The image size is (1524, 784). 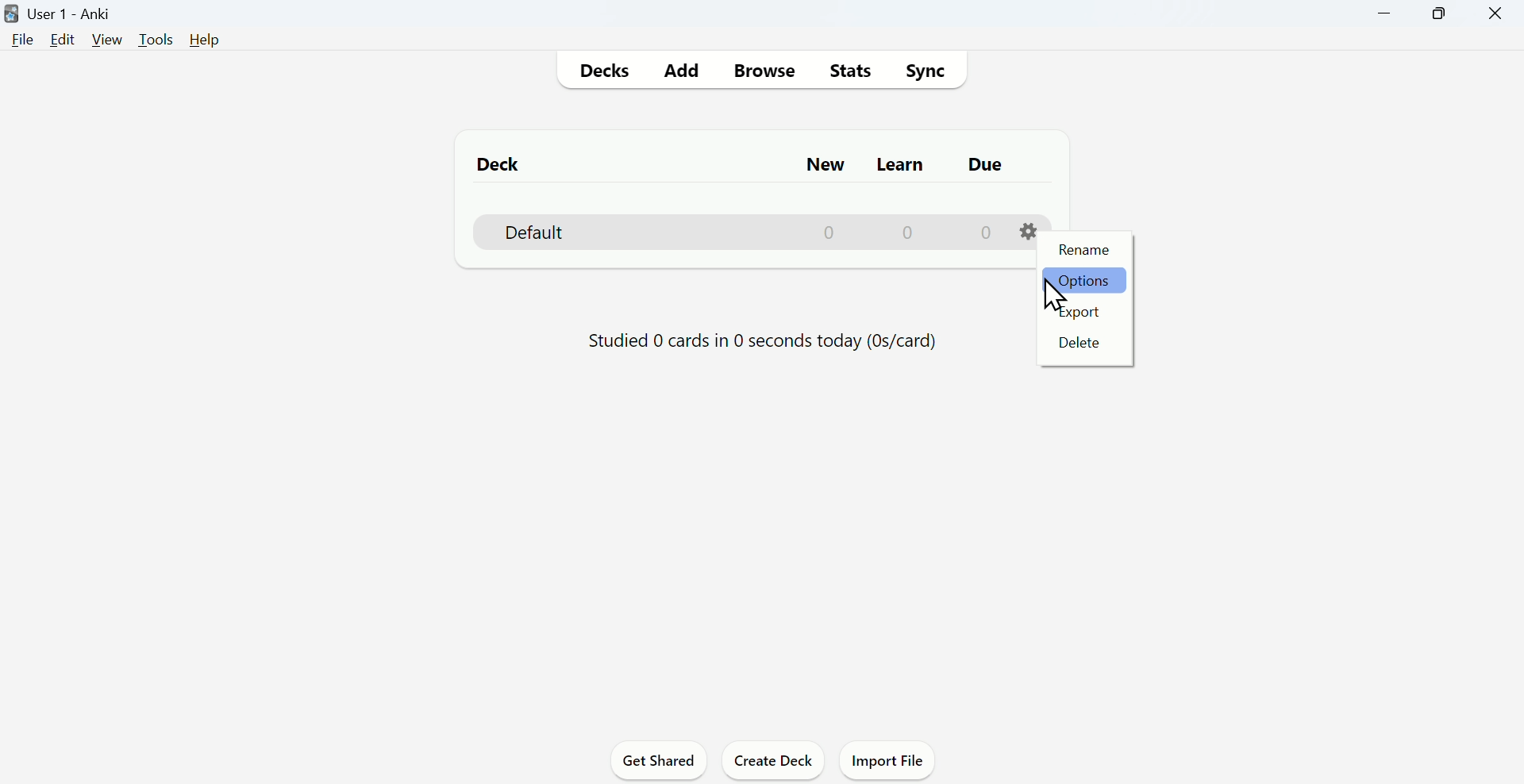 What do you see at coordinates (1088, 279) in the screenshot?
I see `Options` at bounding box center [1088, 279].